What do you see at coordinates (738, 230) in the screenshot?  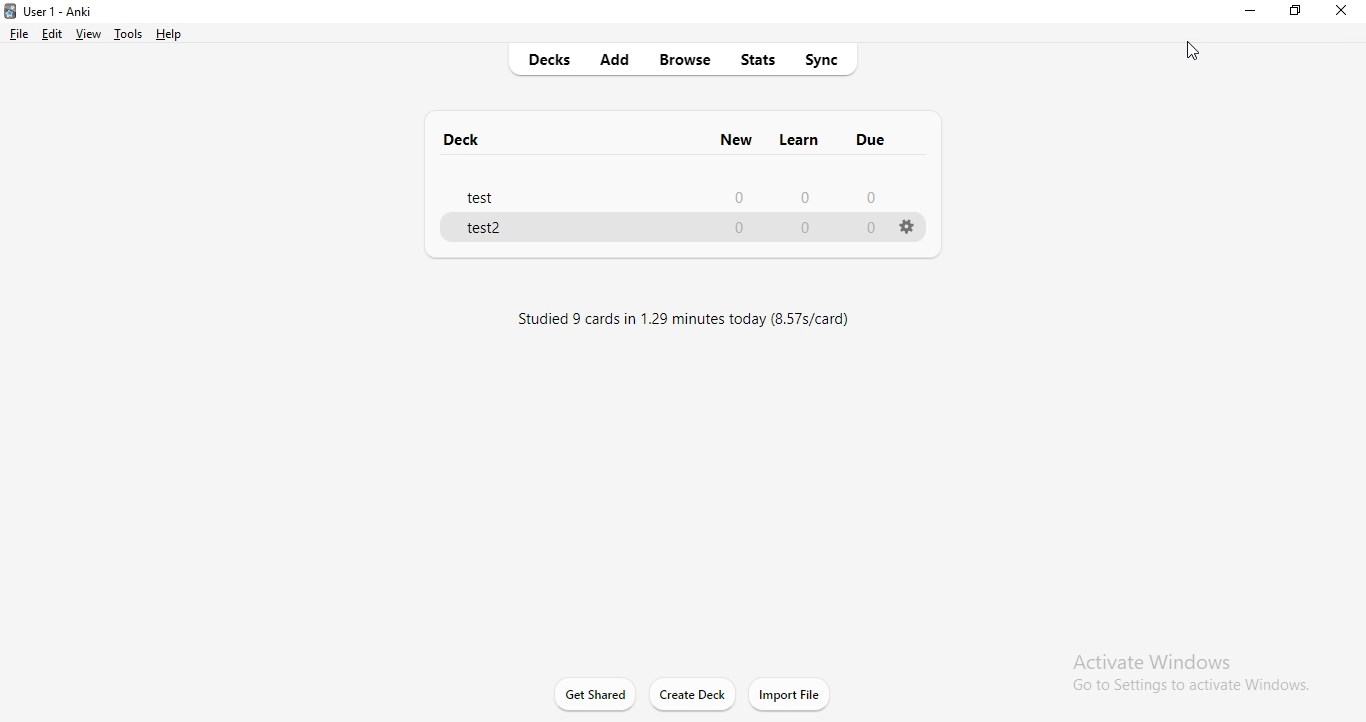 I see `0` at bounding box center [738, 230].